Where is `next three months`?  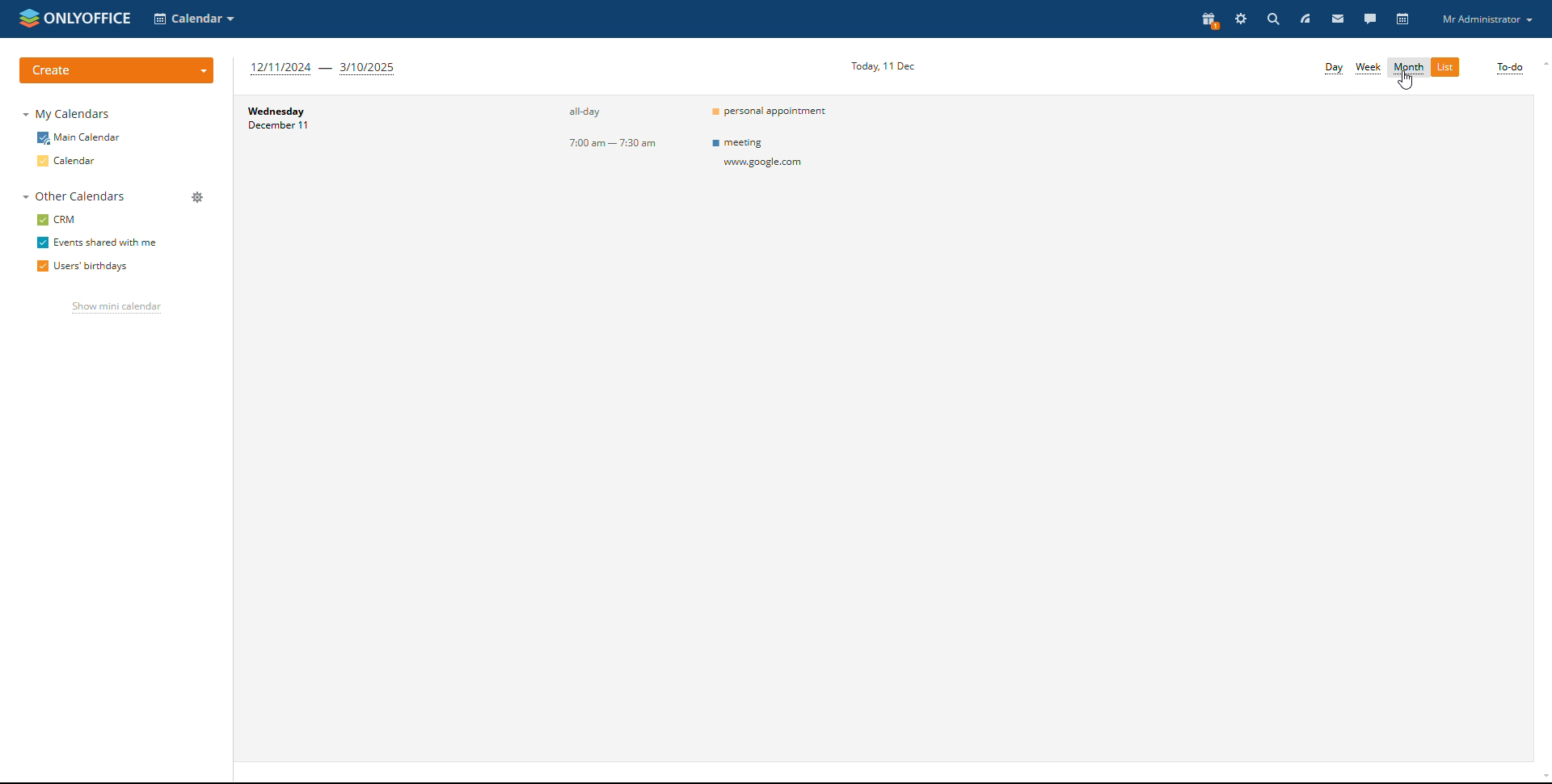
next three months is located at coordinates (323, 70).